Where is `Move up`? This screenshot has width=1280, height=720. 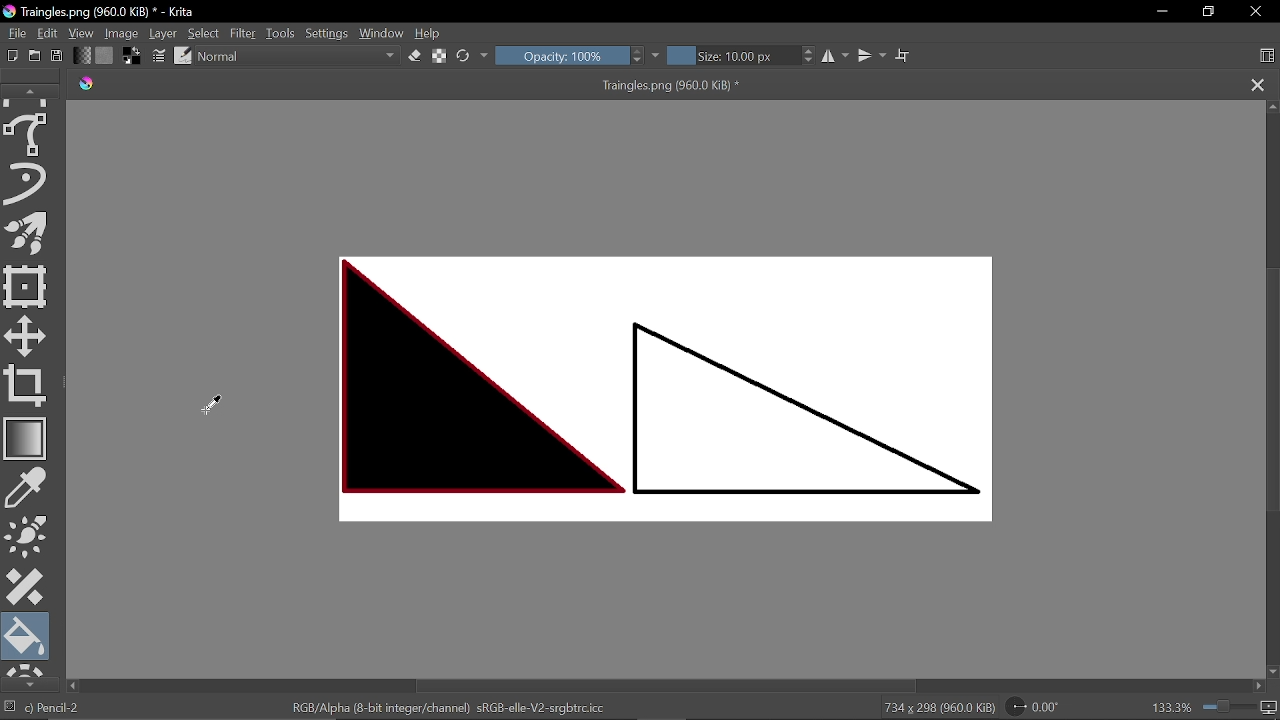 Move up is located at coordinates (1272, 107).